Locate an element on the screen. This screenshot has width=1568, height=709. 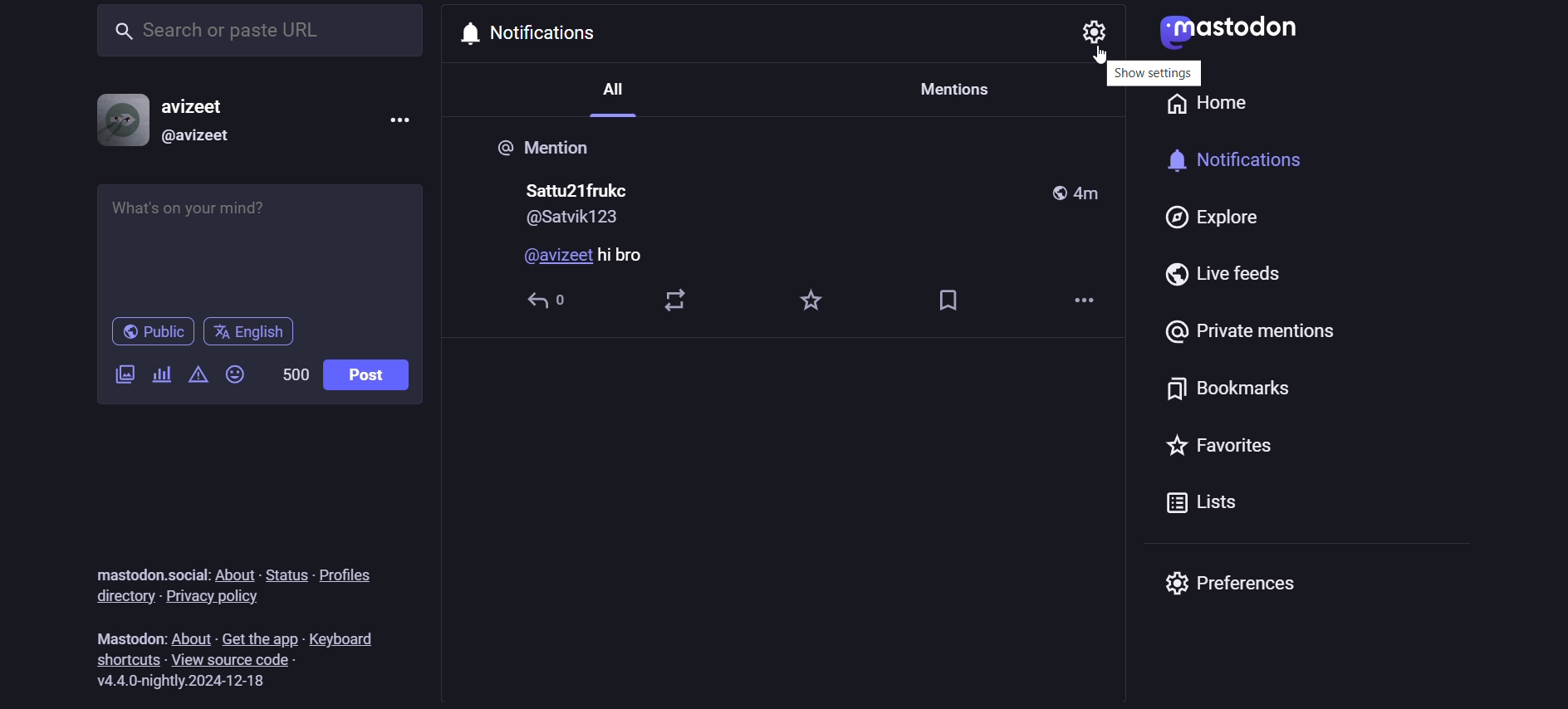
Add a poll is located at coordinates (157, 374).